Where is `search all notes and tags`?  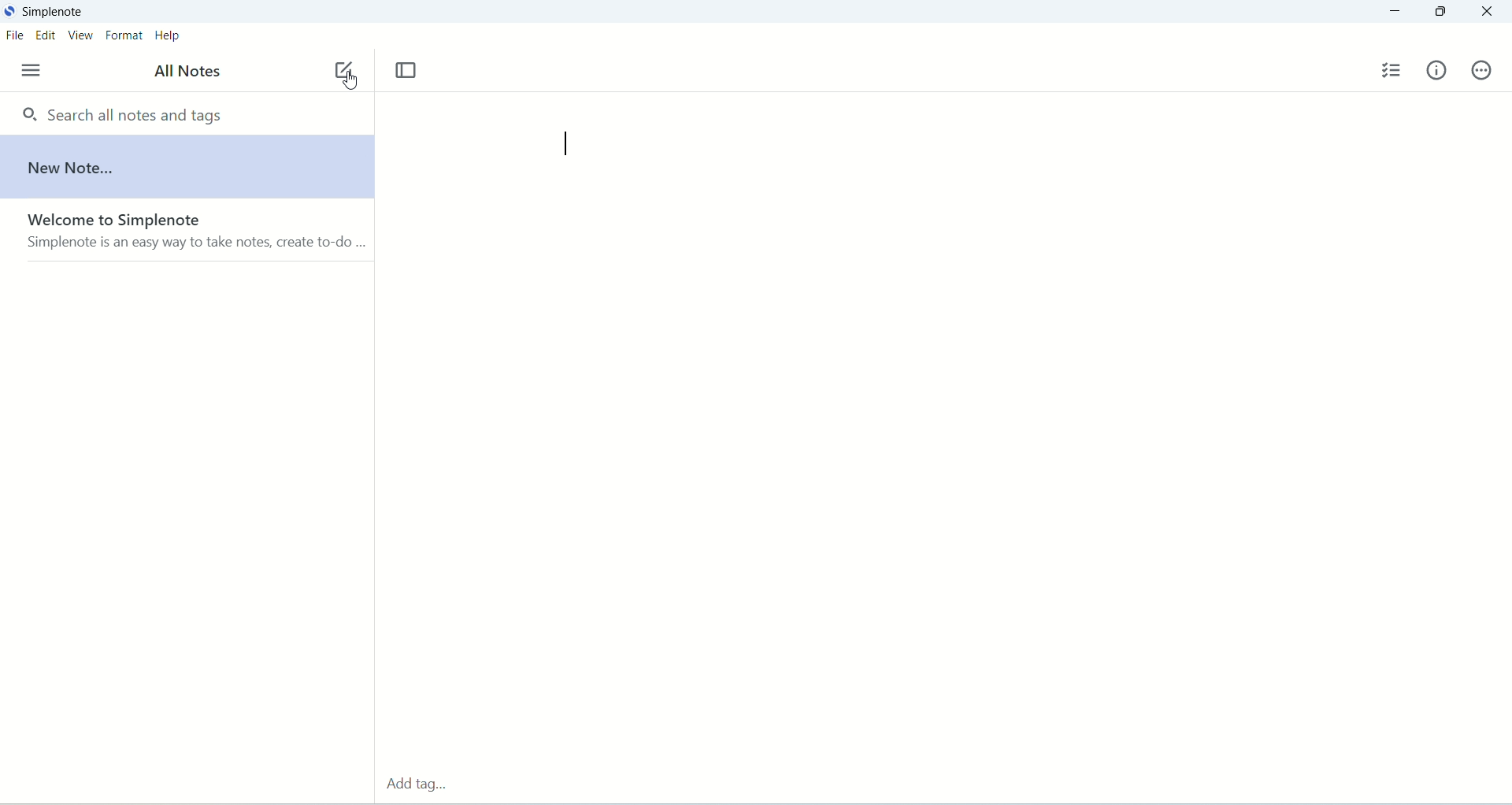
search all notes and tags is located at coordinates (127, 116).